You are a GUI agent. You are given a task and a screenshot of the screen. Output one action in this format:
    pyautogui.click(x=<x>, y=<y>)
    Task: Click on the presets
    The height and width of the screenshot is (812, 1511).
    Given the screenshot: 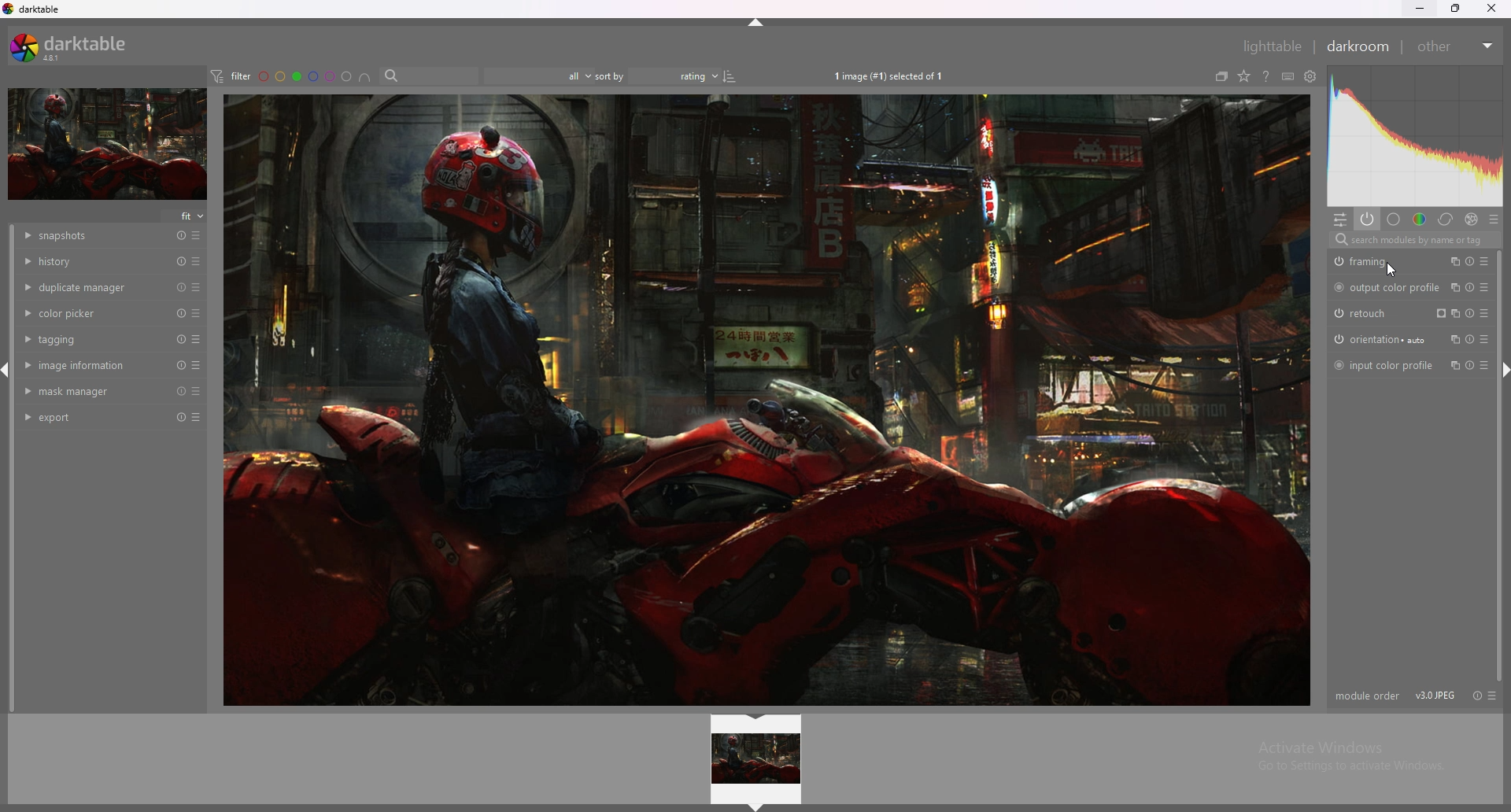 What is the action you would take?
    pyautogui.click(x=1492, y=696)
    